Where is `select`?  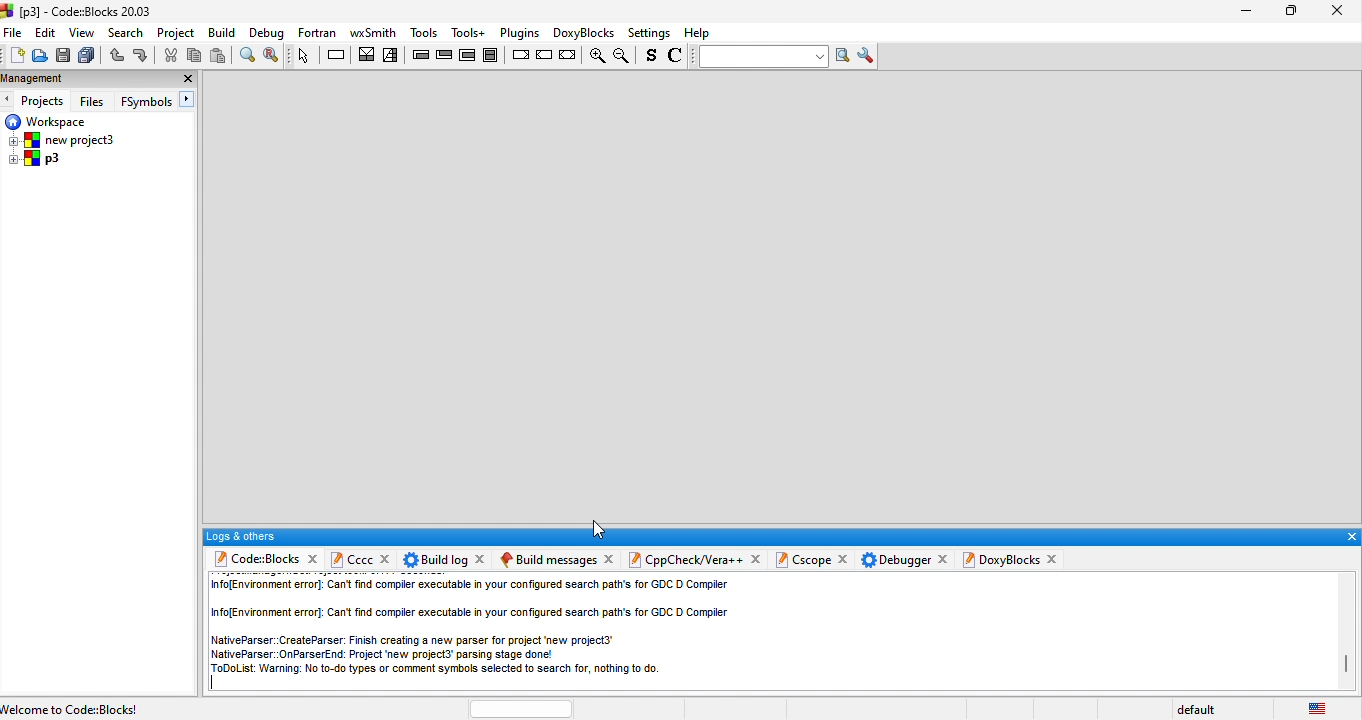 select is located at coordinates (305, 55).